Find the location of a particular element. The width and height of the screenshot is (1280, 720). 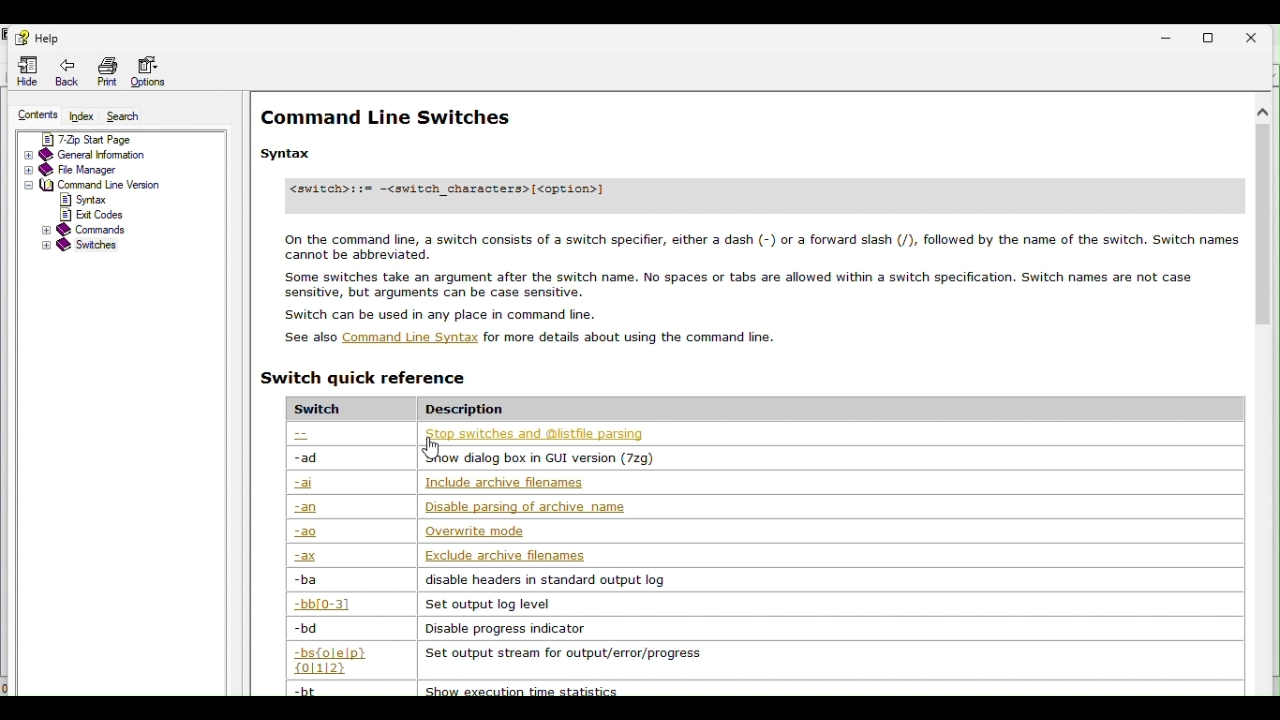

-ax is located at coordinates (309, 554).